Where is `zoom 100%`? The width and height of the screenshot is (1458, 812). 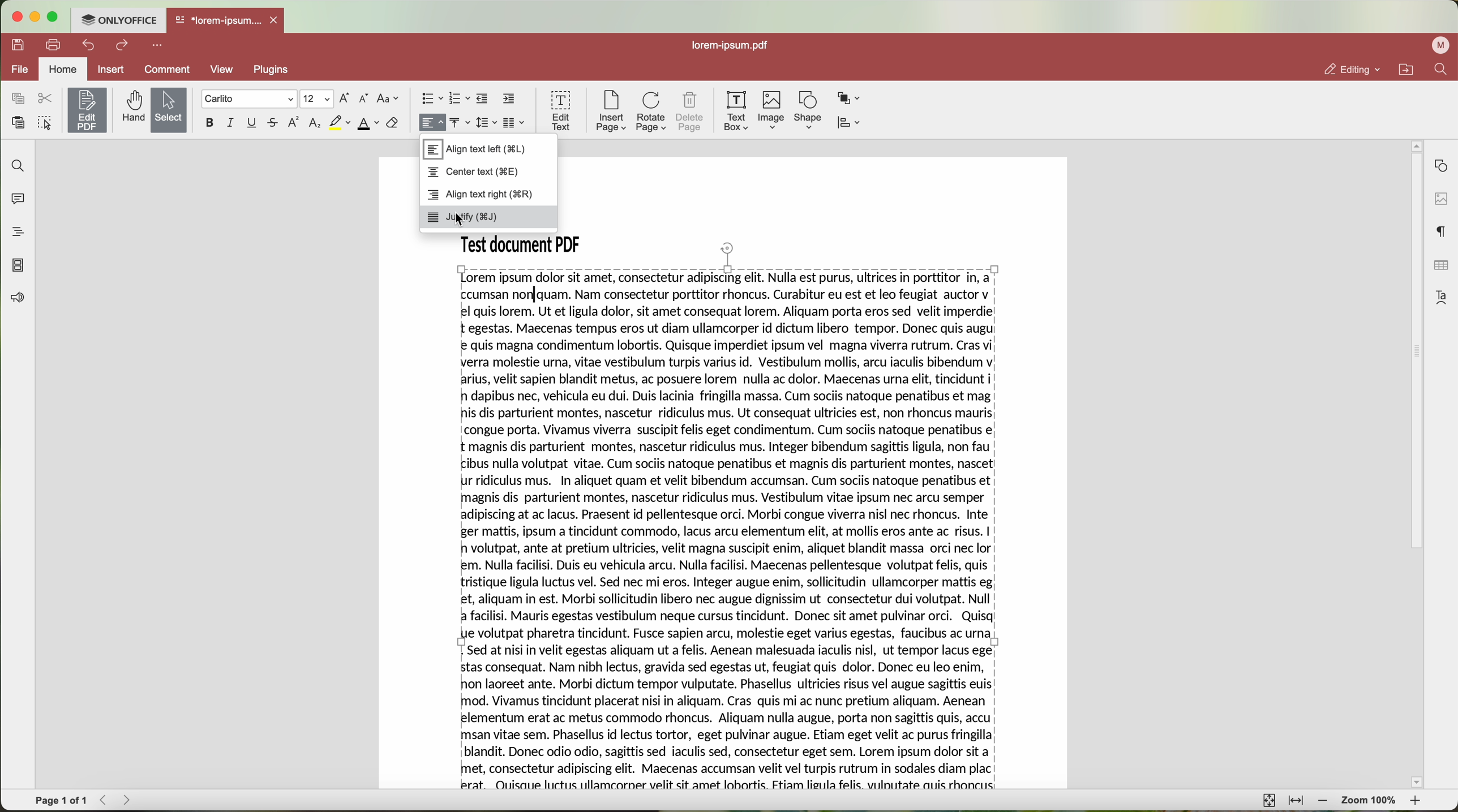
zoom 100% is located at coordinates (1370, 801).